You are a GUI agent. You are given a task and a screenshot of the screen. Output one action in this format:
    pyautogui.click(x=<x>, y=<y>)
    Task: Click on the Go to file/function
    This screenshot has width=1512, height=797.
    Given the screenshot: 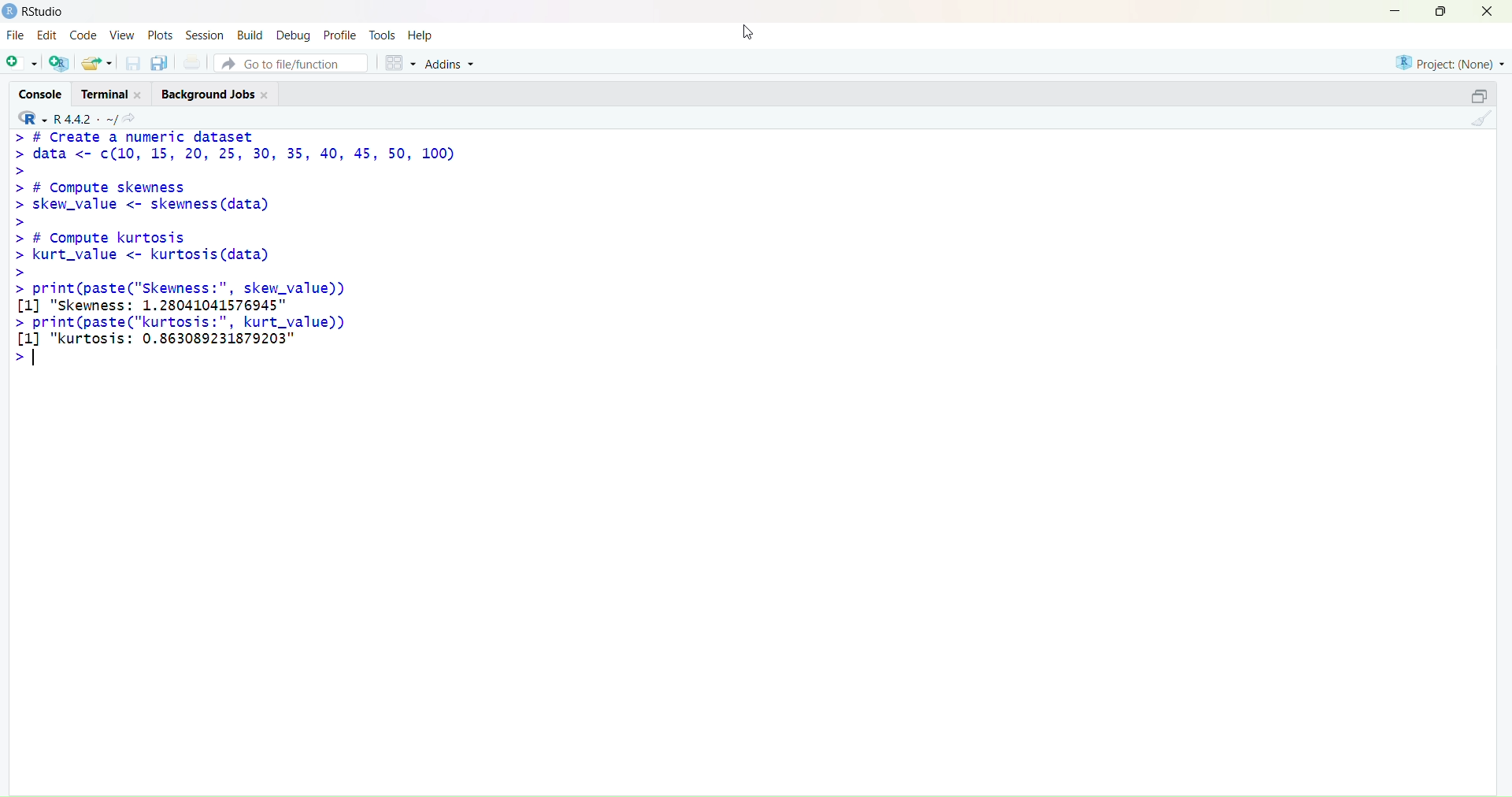 What is the action you would take?
    pyautogui.click(x=293, y=62)
    